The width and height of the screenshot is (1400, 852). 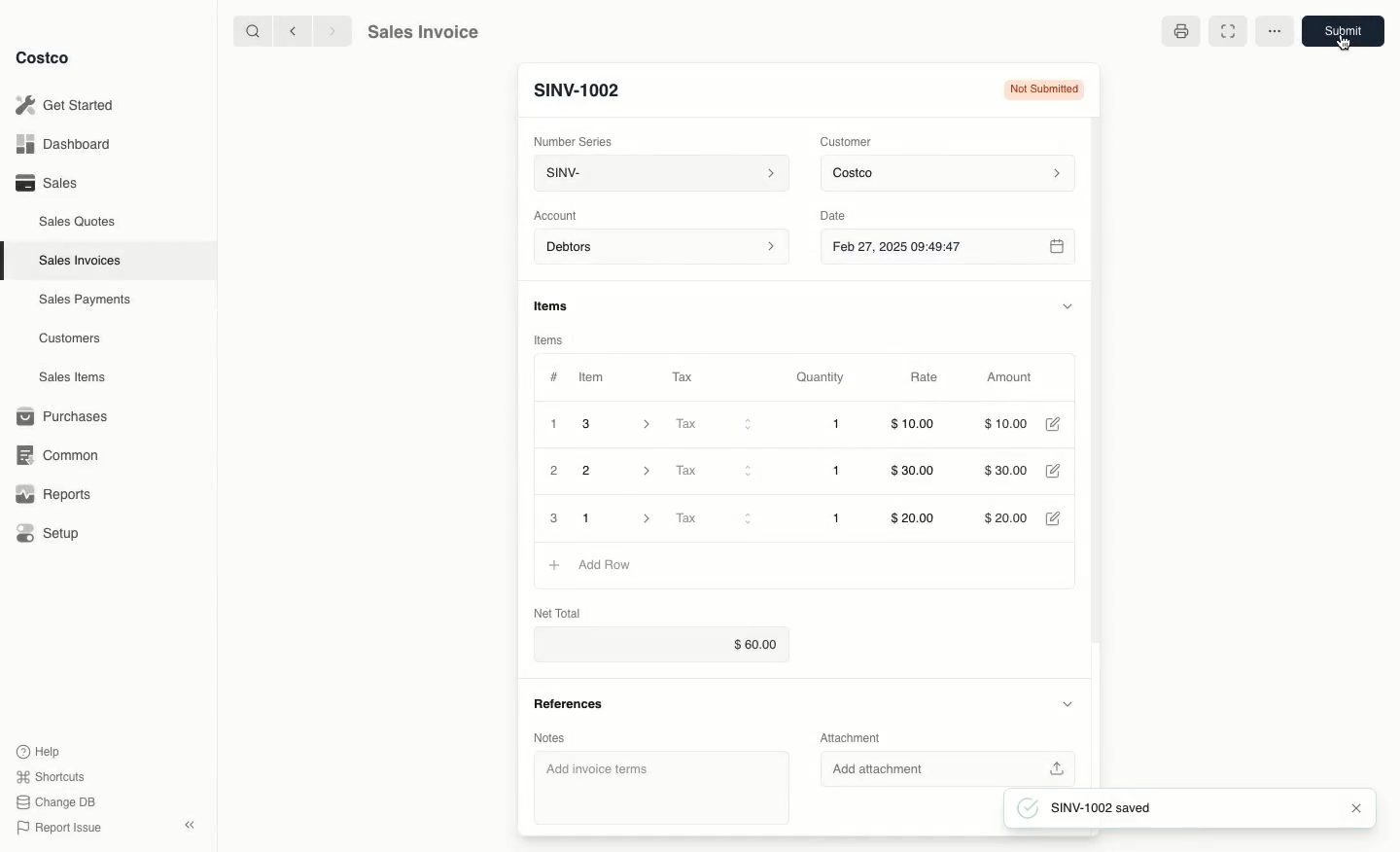 I want to click on SINV-1002 saved, so click(x=1090, y=809).